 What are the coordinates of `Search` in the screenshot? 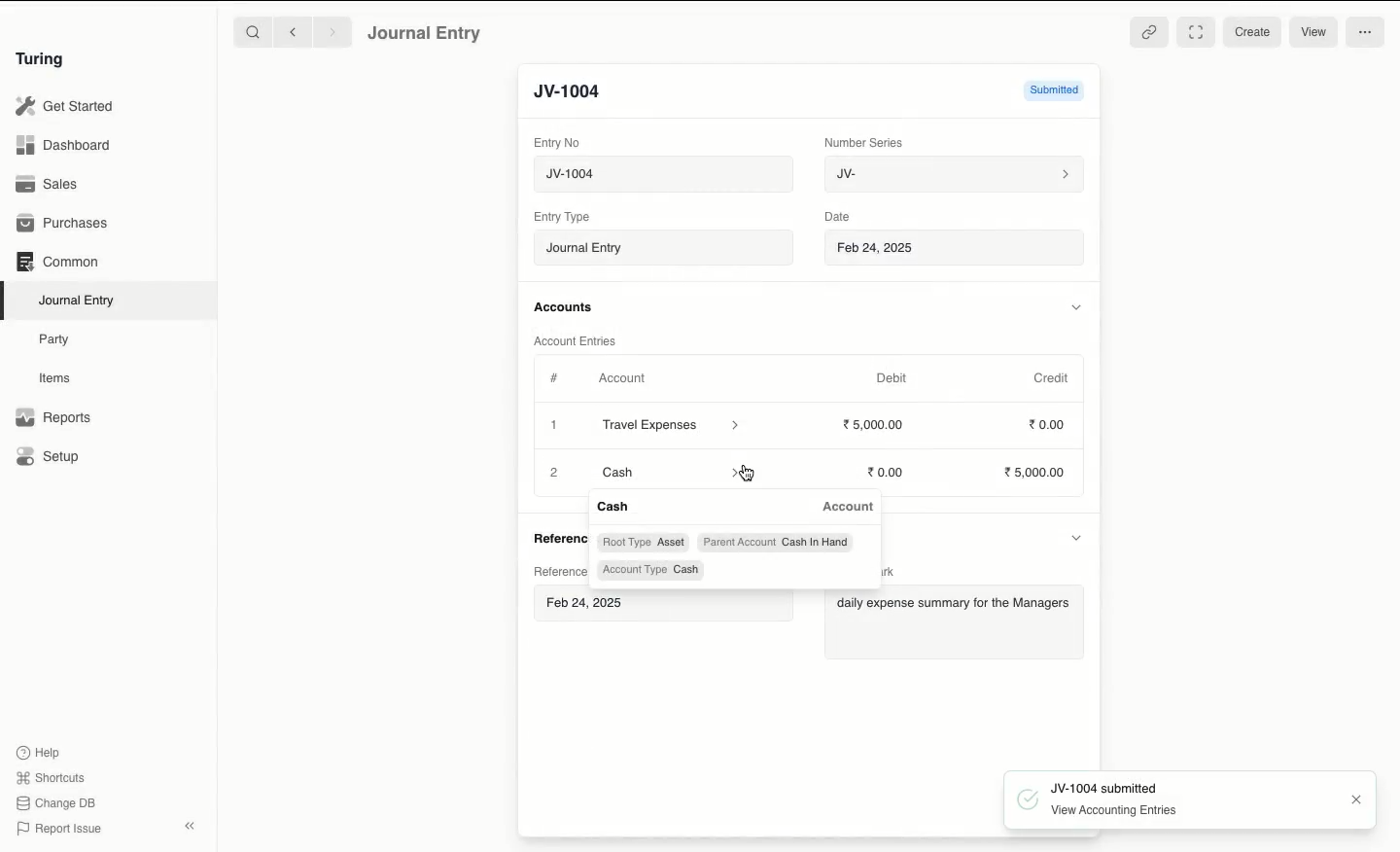 It's located at (252, 31).